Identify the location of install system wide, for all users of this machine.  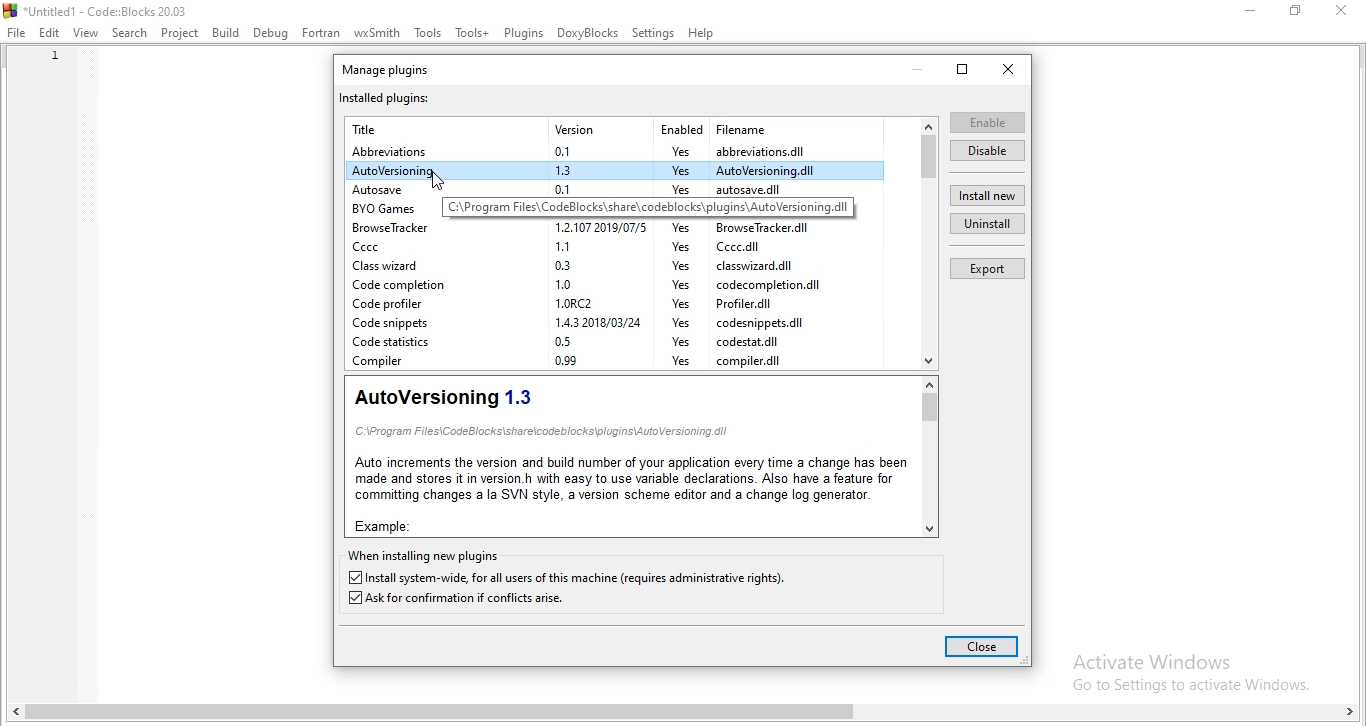
(571, 578).